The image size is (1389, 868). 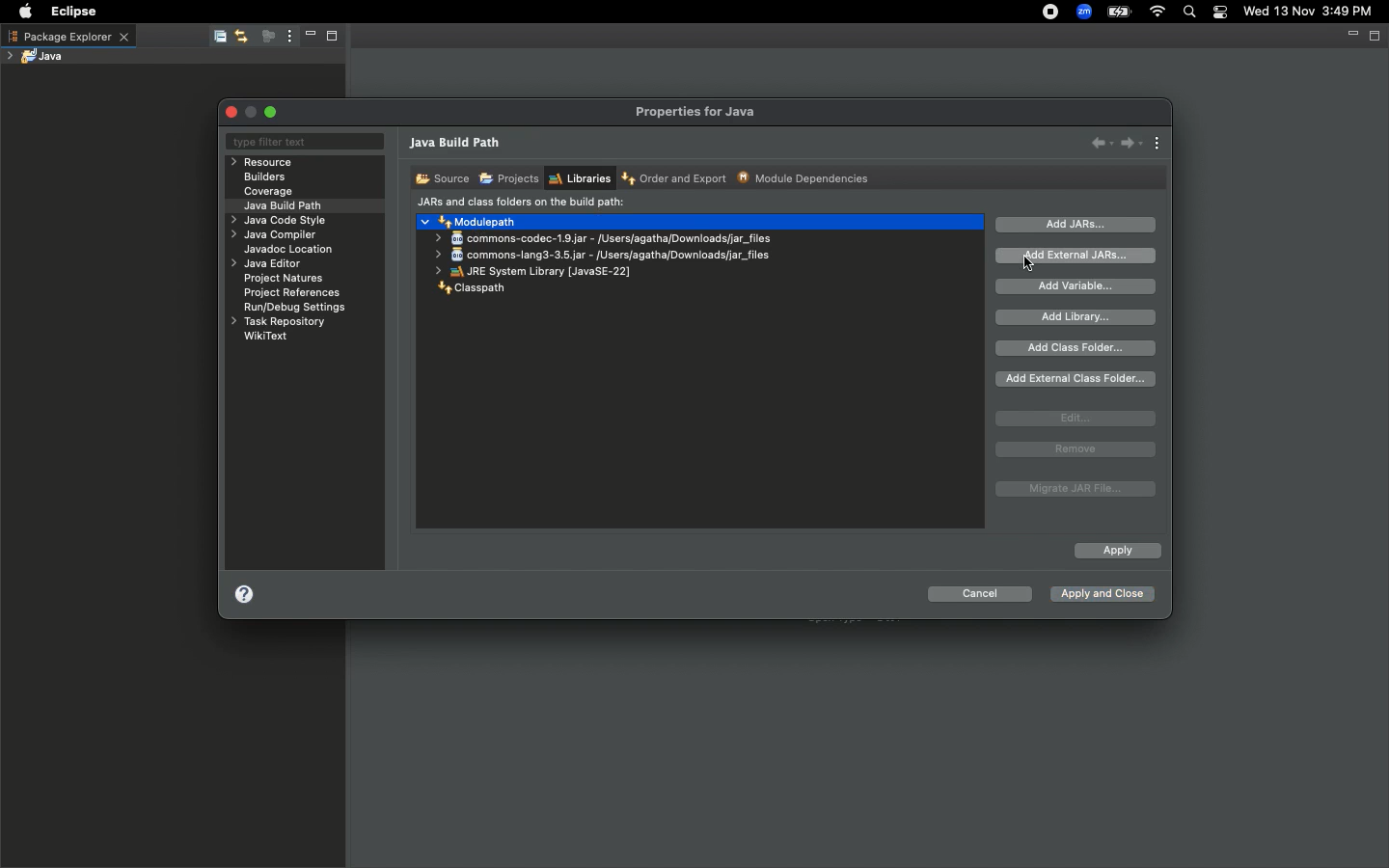 I want to click on Package explorer, so click(x=68, y=36).